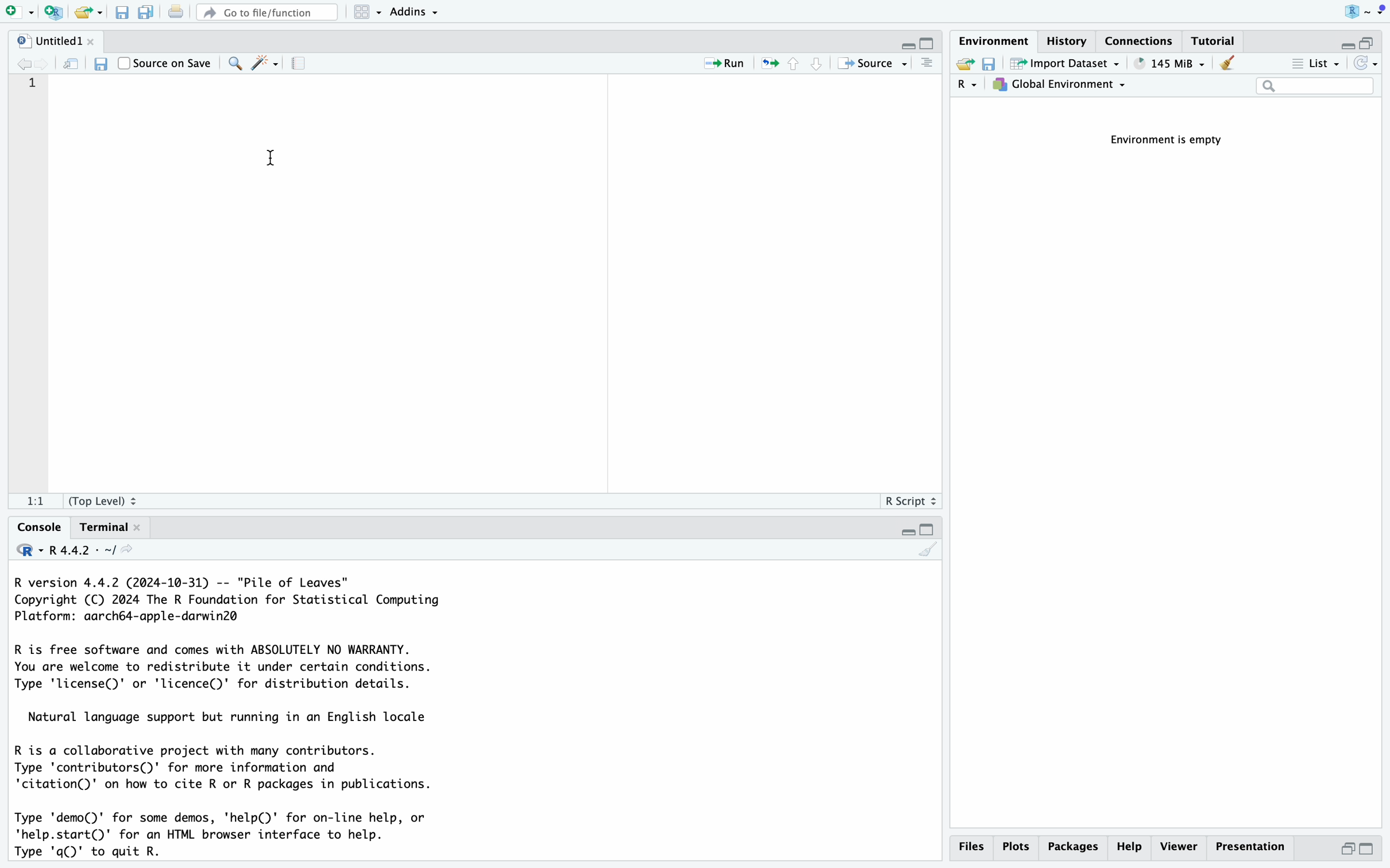 The height and width of the screenshot is (868, 1390). I want to click on minimize, so click(1342, 852).